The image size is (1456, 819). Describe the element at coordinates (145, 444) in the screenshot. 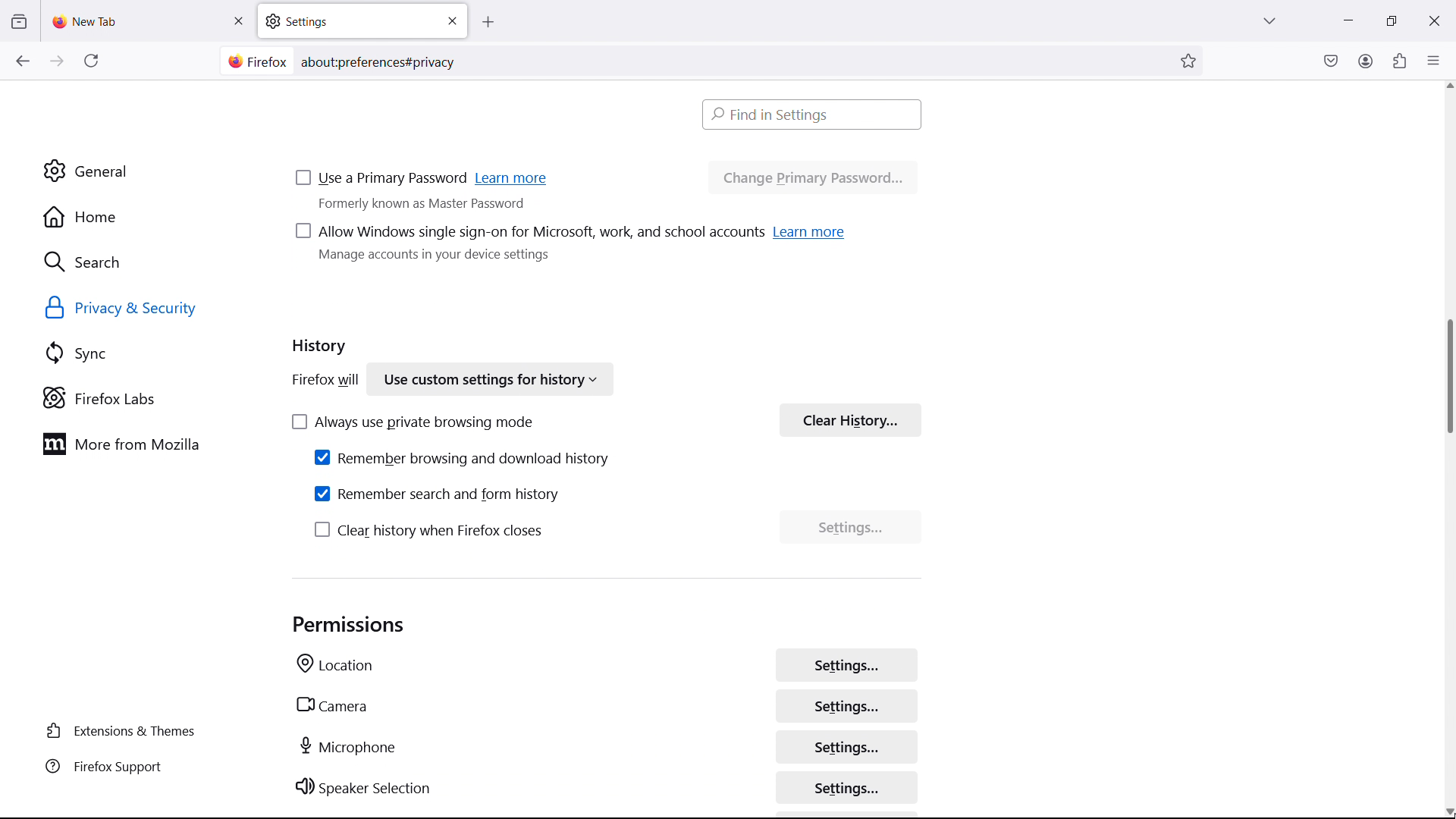

I see `more from mozilla` at that location.